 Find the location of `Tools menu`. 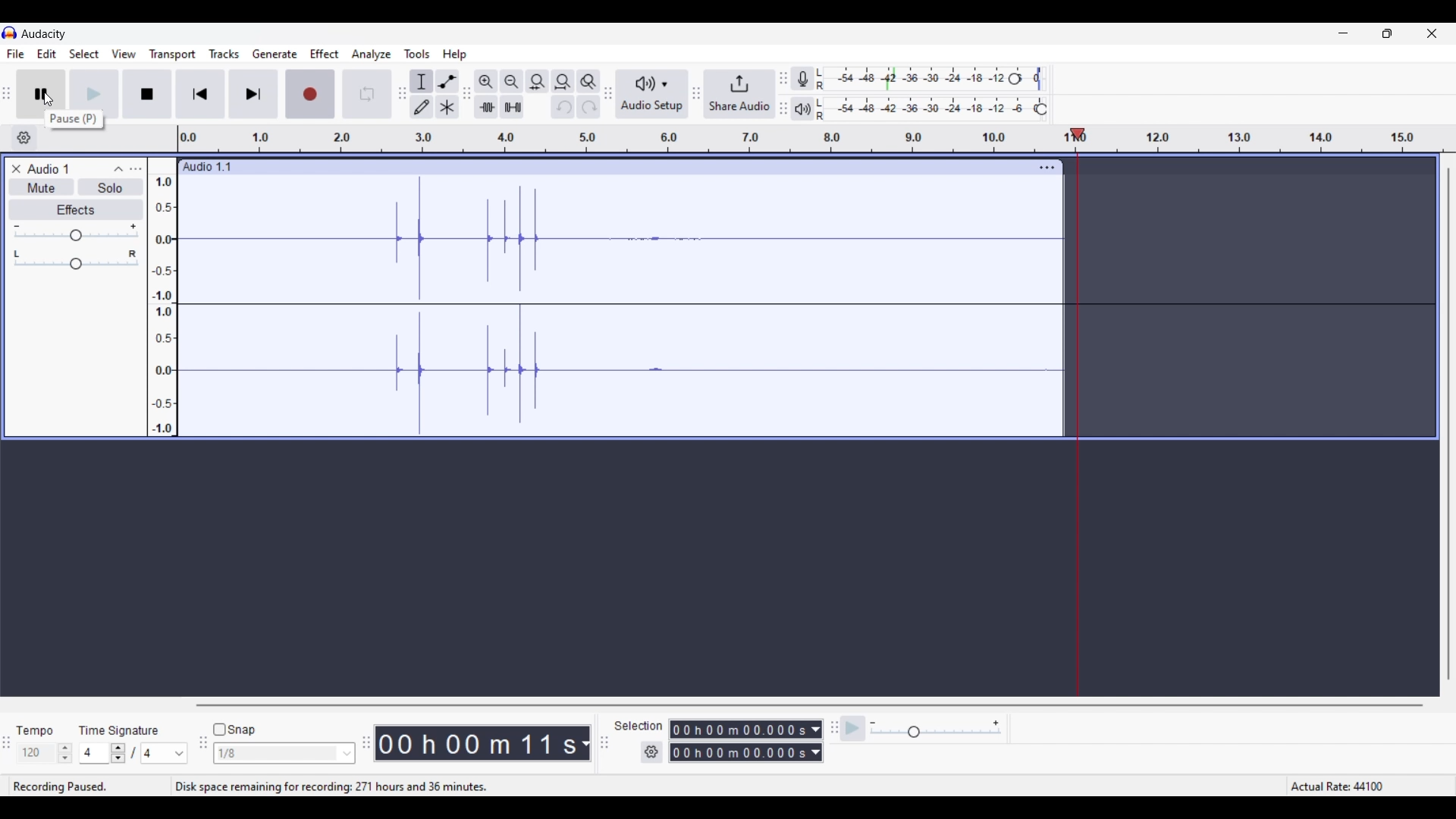

Tools menu is located at coordinates (418, 54).